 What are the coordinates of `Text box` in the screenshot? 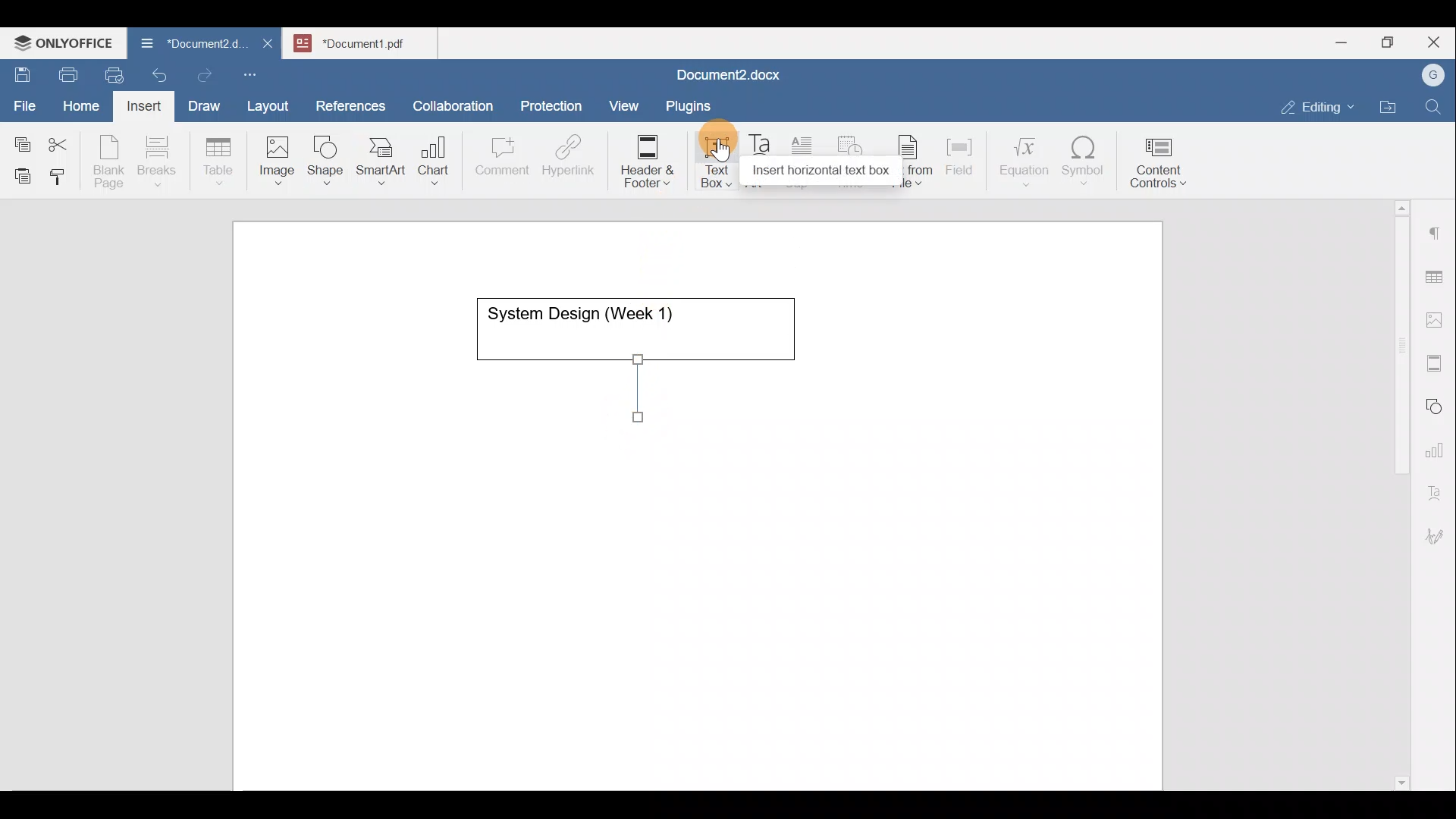 It's located at (706, 162).